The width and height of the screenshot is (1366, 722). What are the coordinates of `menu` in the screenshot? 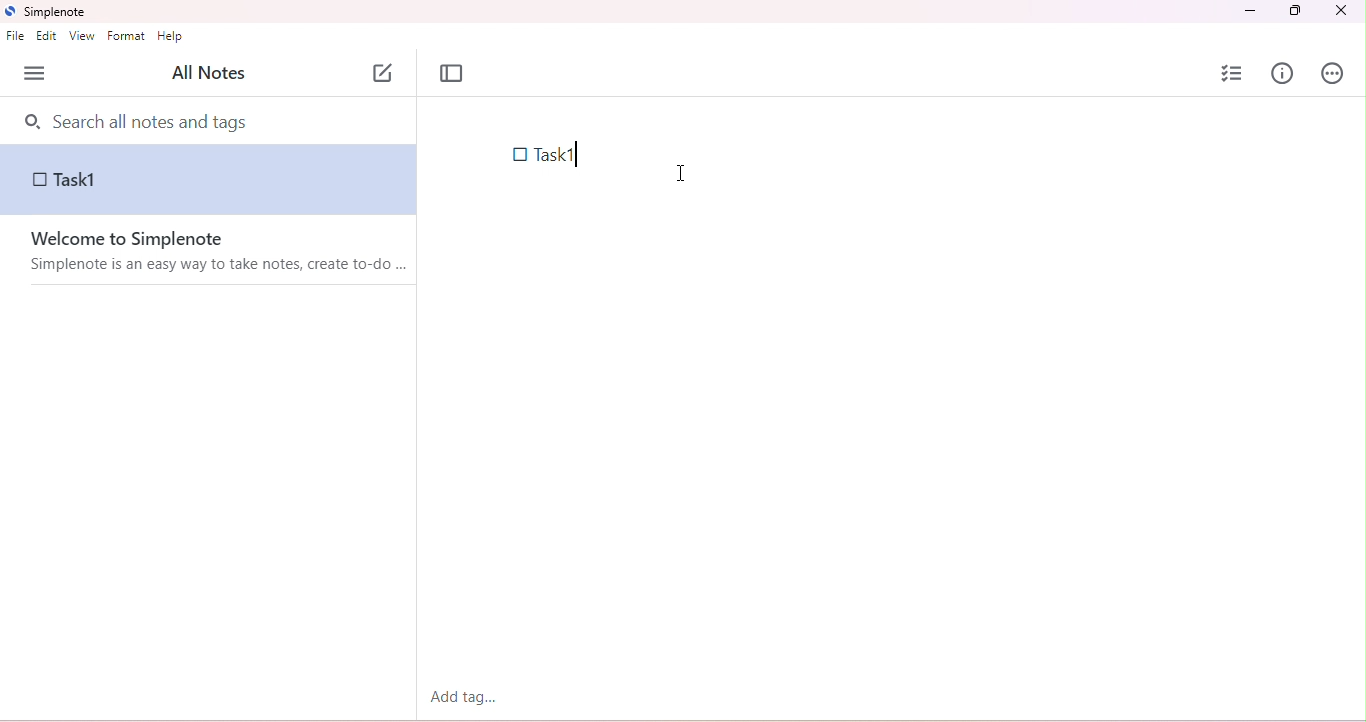 It's located at (35, 74).